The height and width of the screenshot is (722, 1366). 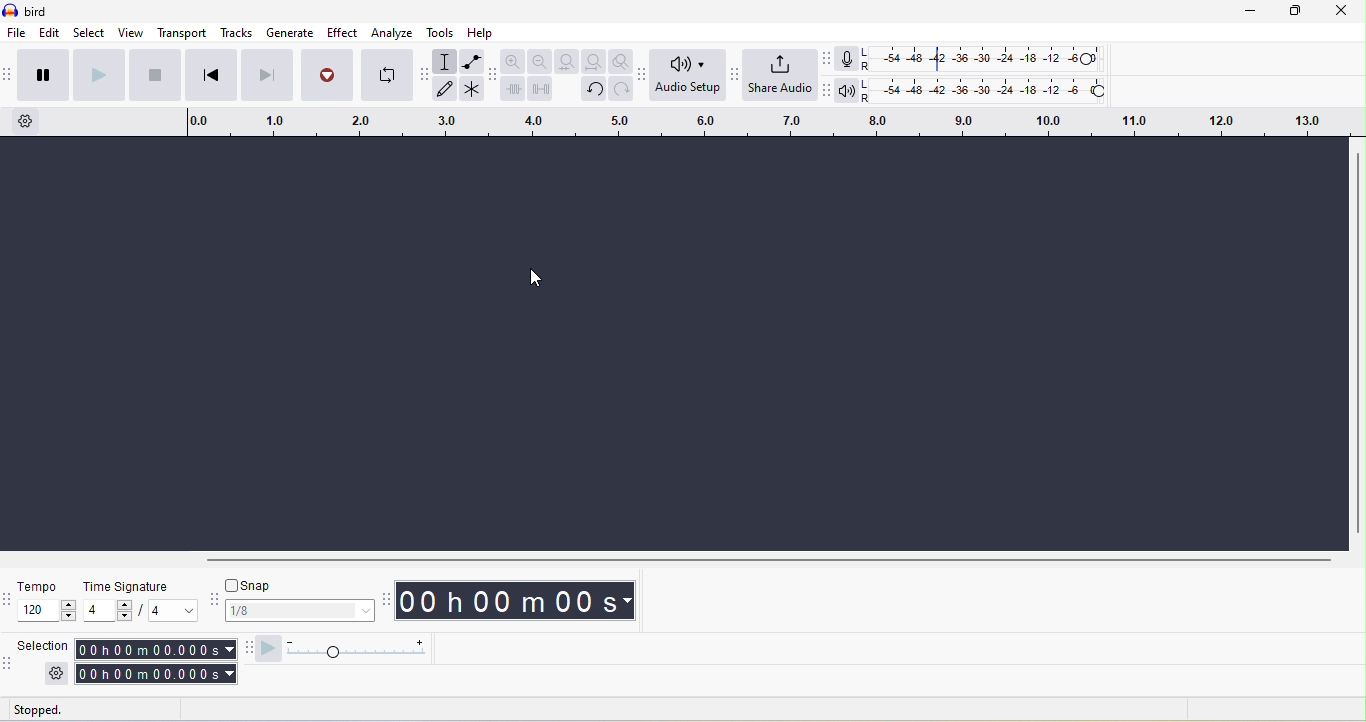 What do you see at coordinates (471, 62) in the screenshot?
I see `envelope tool` at bounding box center [471, 62].